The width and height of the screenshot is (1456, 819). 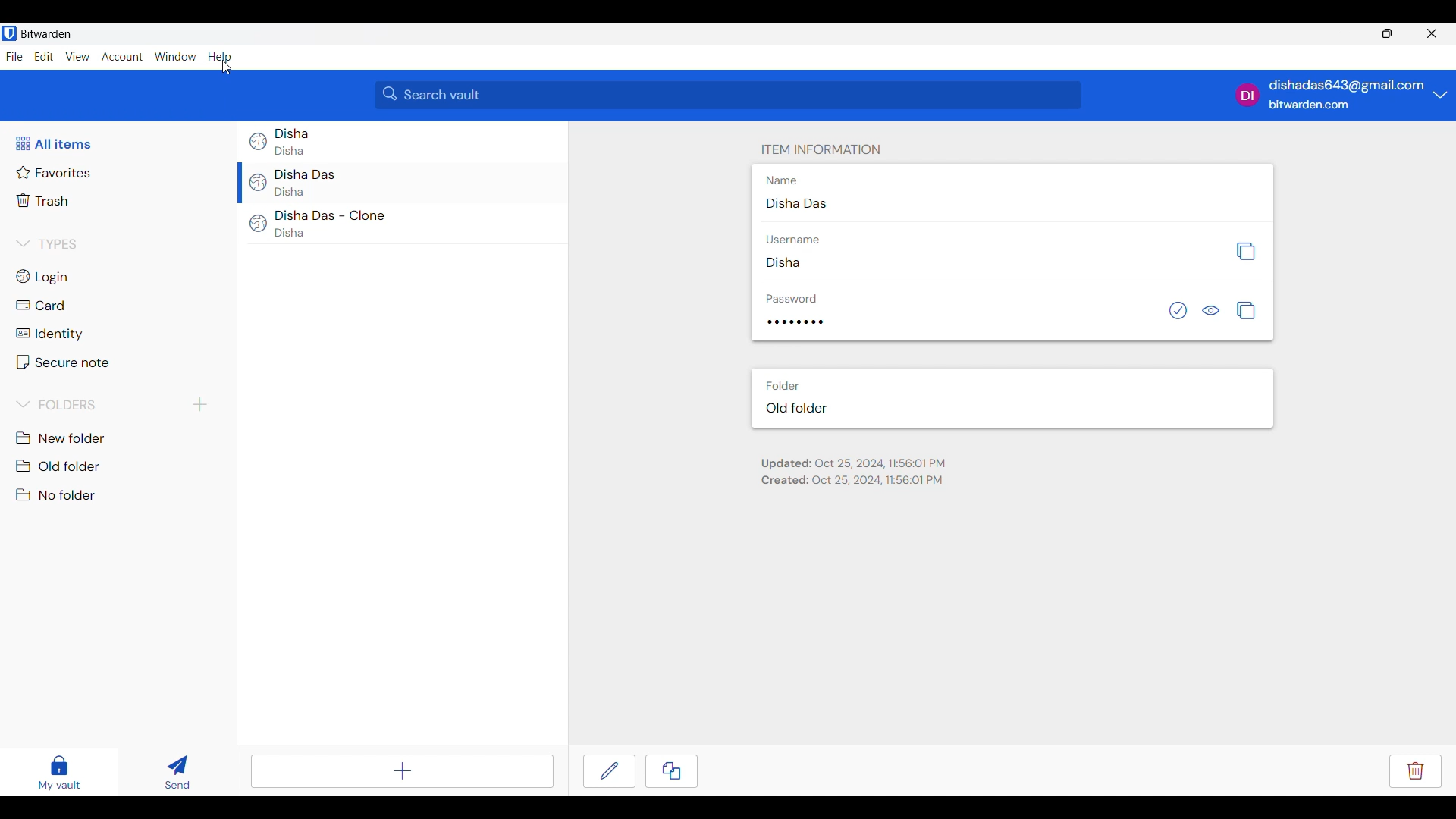 What do you see at coordinates (1178, 310) in the screenshot?
I see `Check password` at bounding box center [1178, 310].